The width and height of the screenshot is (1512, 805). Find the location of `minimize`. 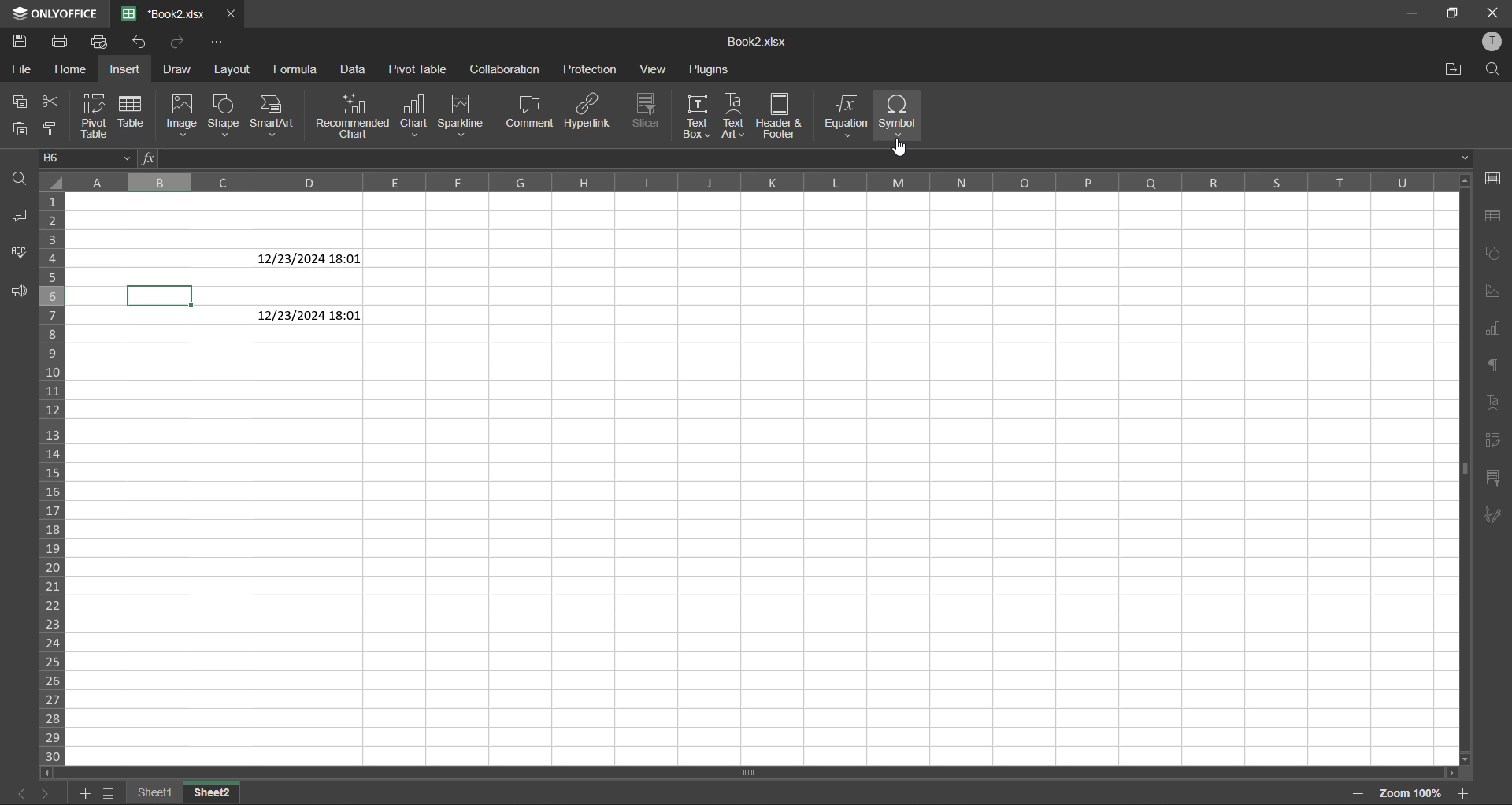

minimize is located at coordinates (1408, 14).